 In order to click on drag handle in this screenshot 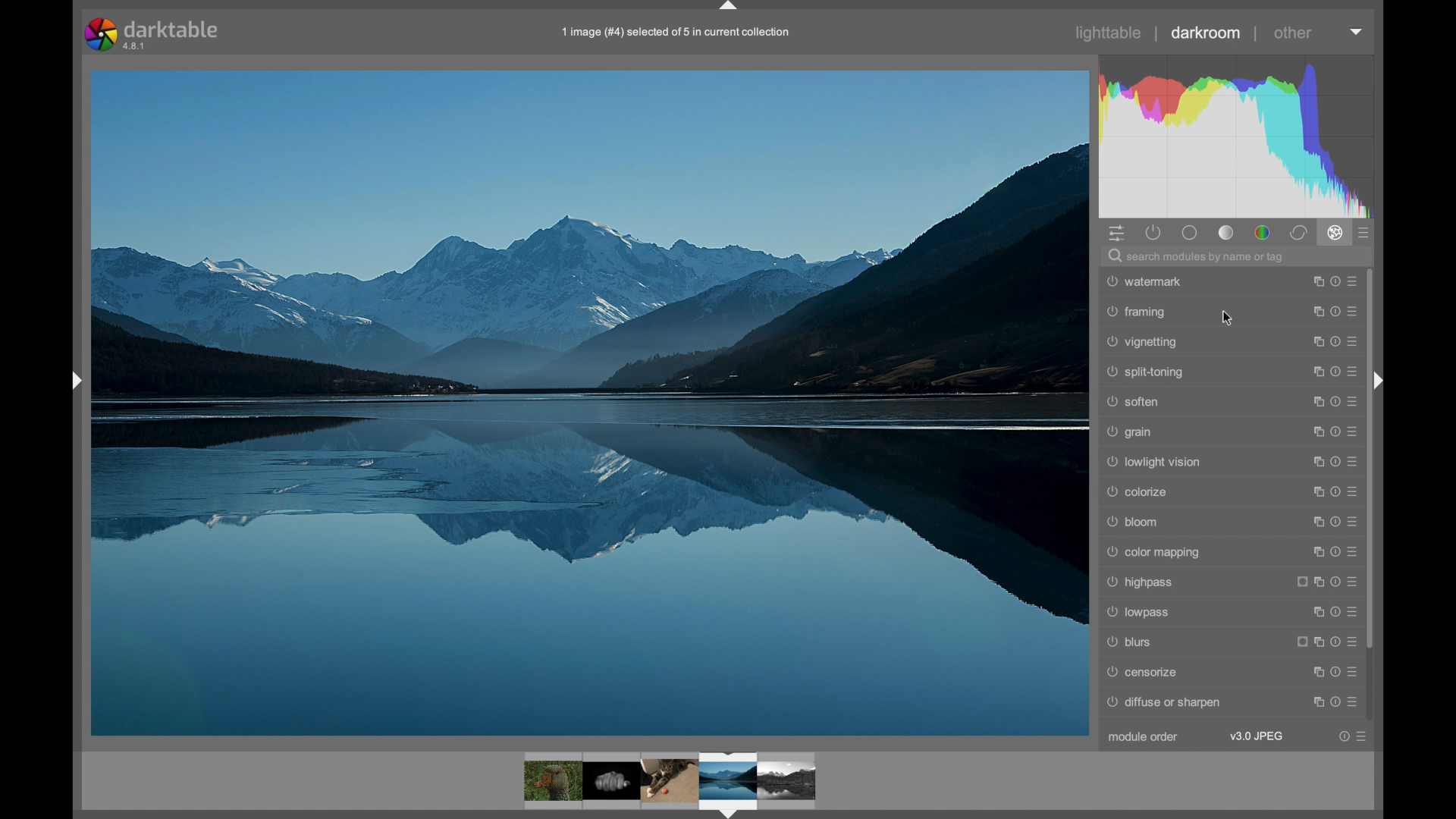, I will do `click(74, 381)`.